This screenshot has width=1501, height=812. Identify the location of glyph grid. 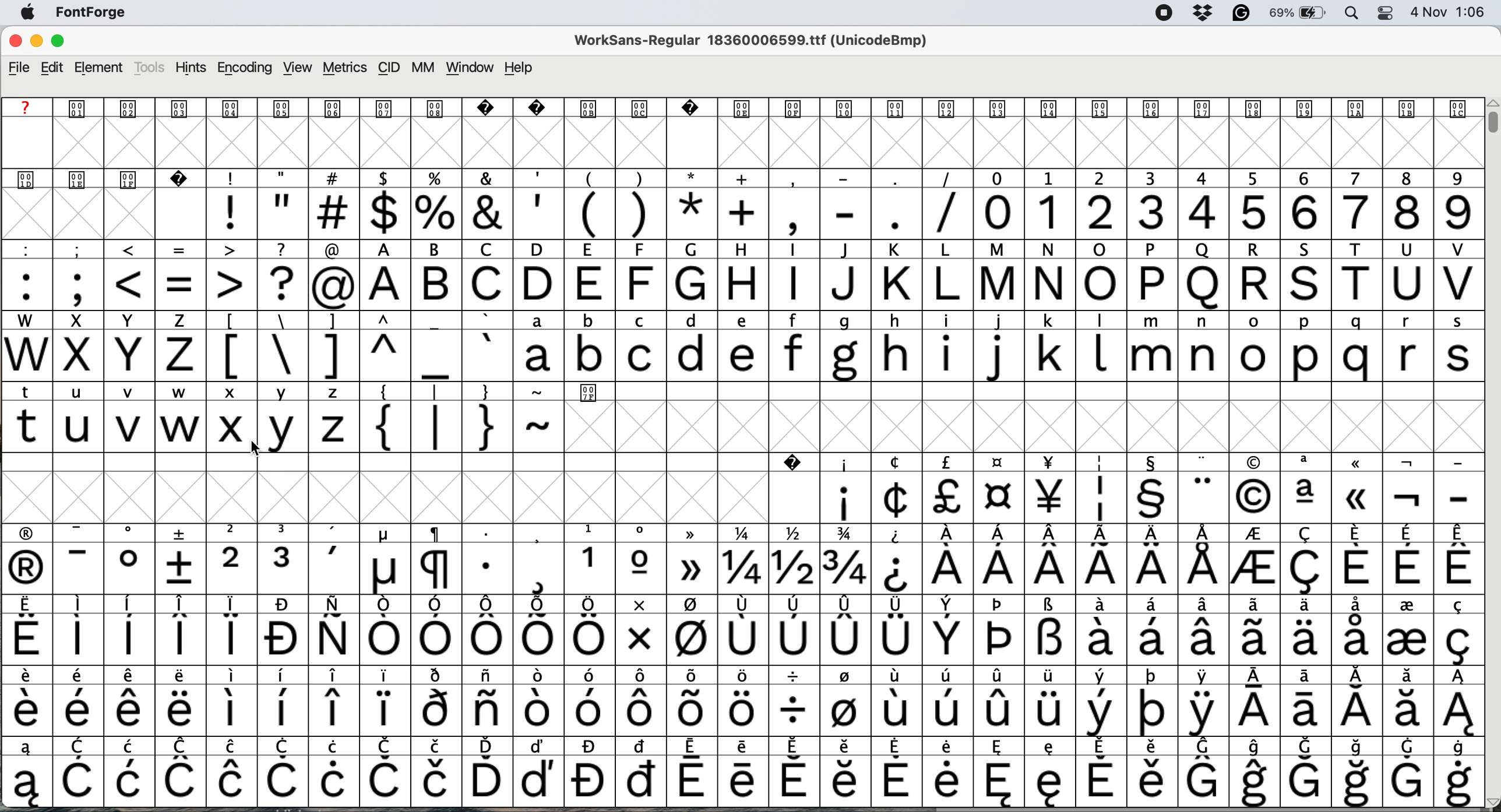
(407, 495).